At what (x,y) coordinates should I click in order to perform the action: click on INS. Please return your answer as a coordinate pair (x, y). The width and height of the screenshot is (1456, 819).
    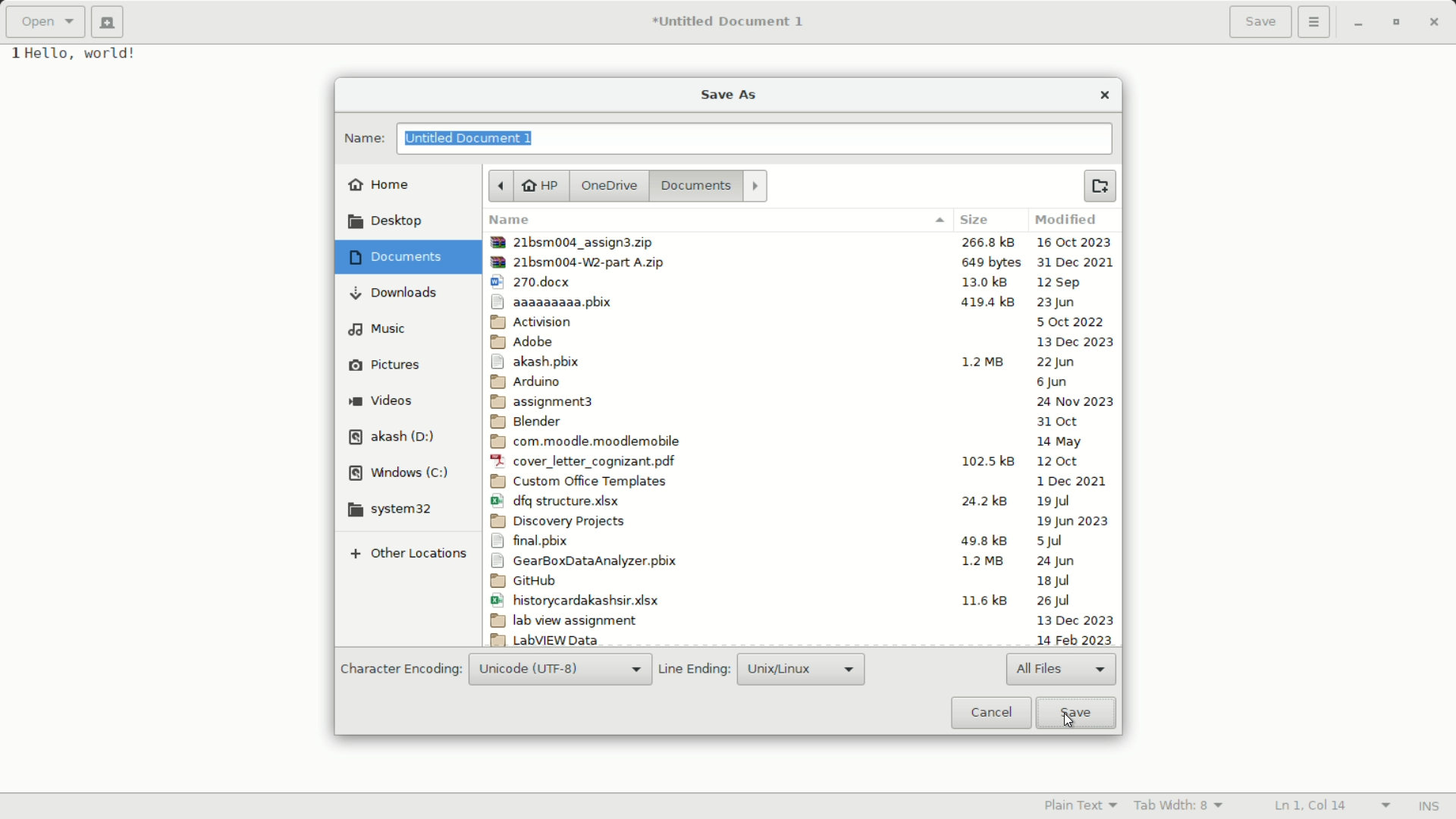
    Looking at the image, I should click on (1430, 805).